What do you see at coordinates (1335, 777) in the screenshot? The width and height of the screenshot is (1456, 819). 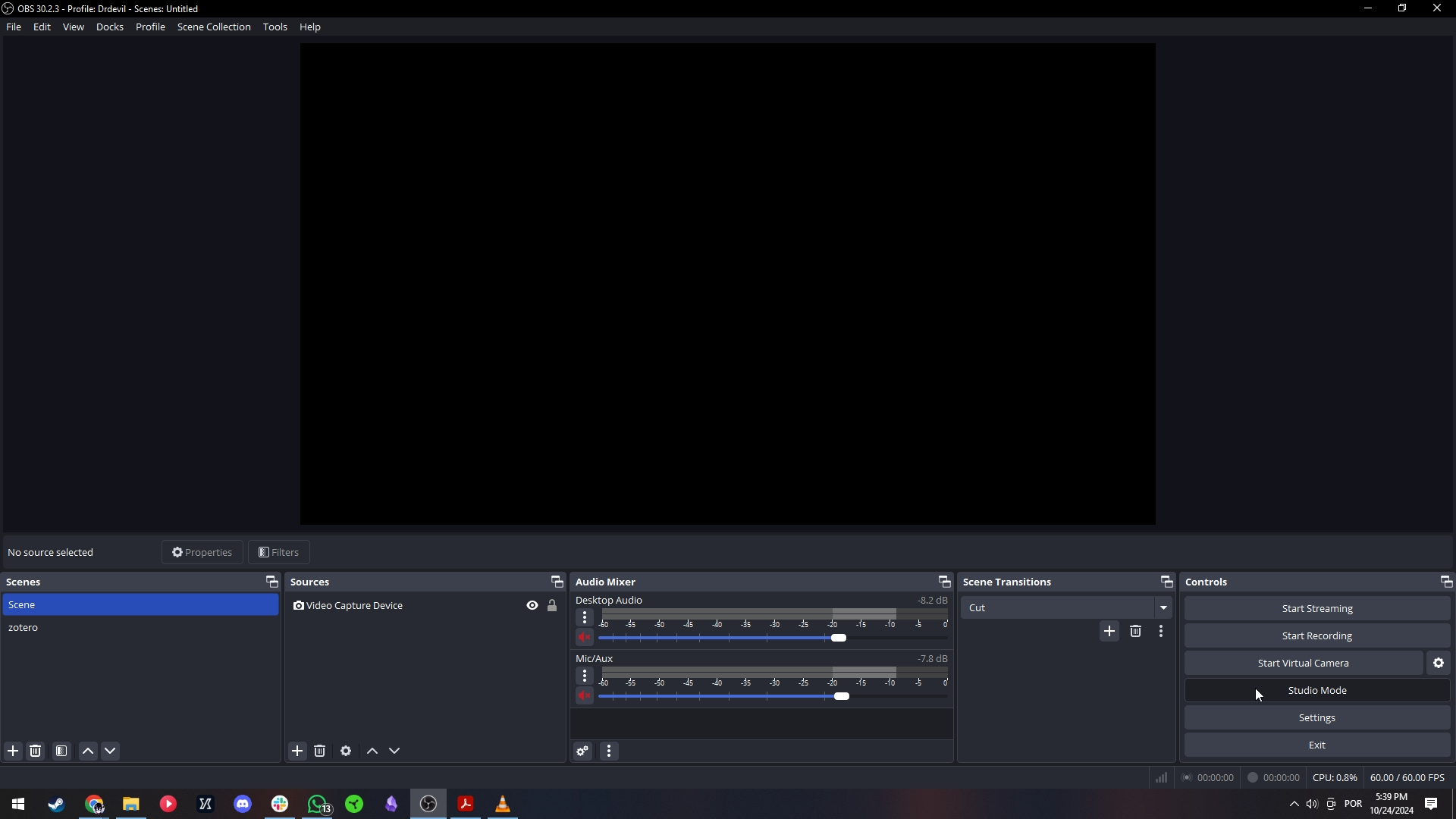 I see `CPU usage` at bounding box center [1335, 777].